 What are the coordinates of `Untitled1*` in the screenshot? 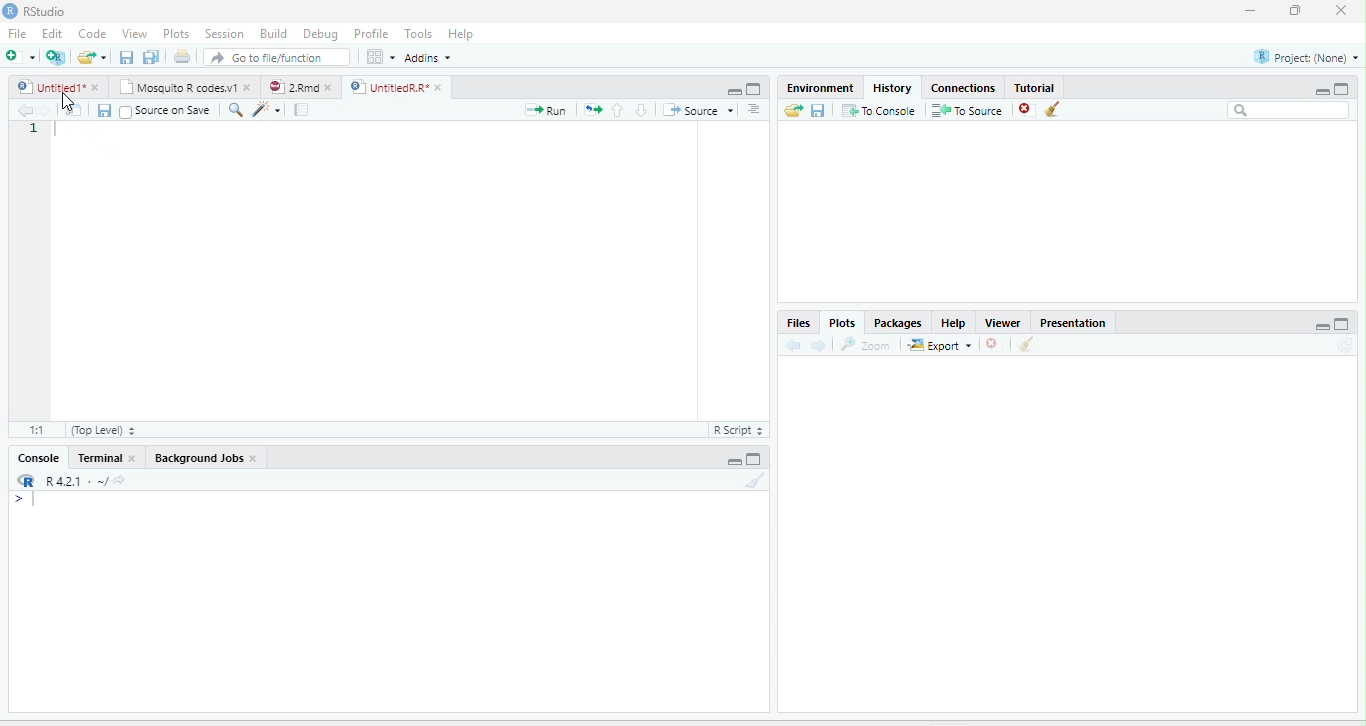 It's located at (49, 87).